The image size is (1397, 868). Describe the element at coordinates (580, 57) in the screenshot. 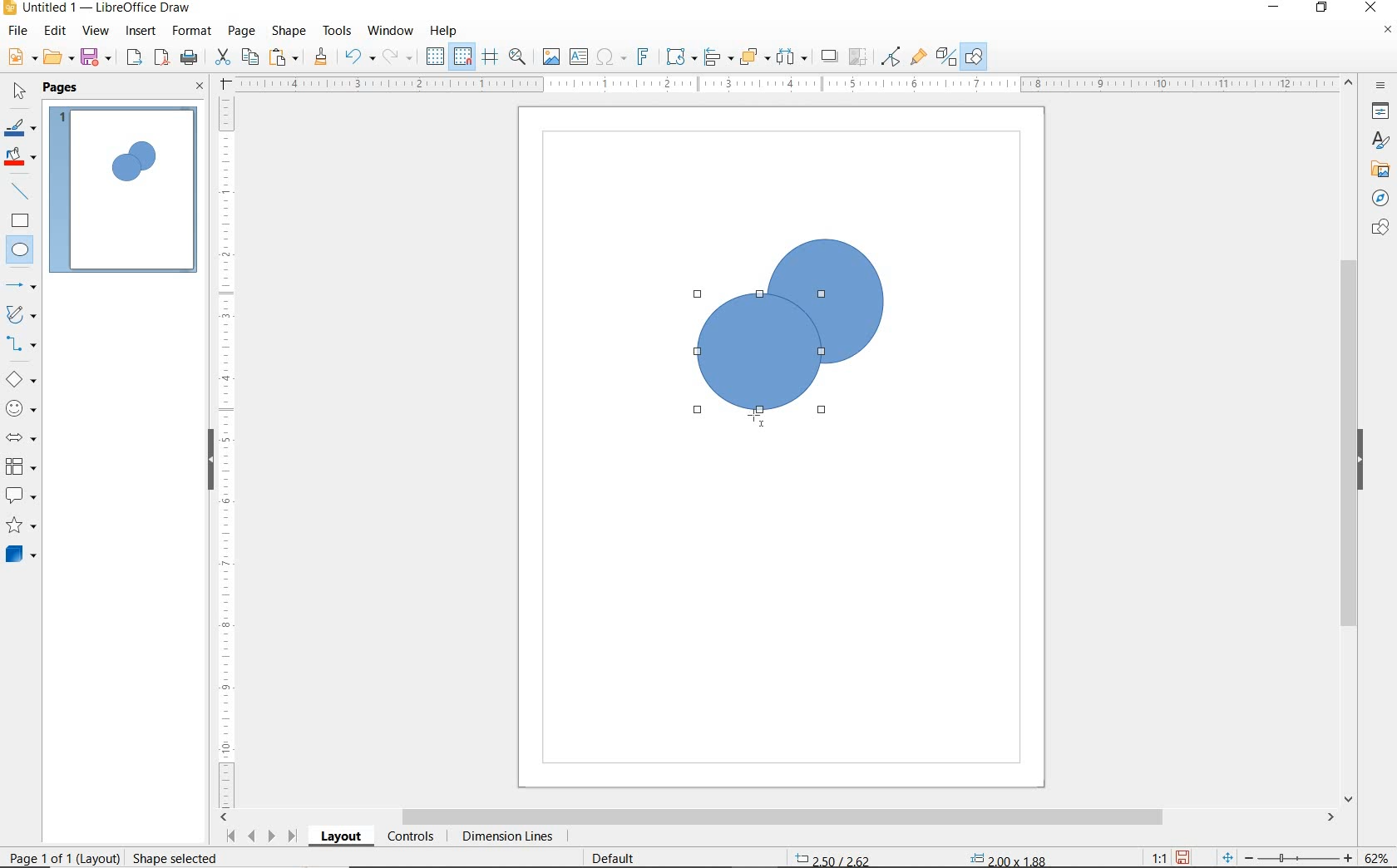

I see `INSERT TEXT BOX` at that location.